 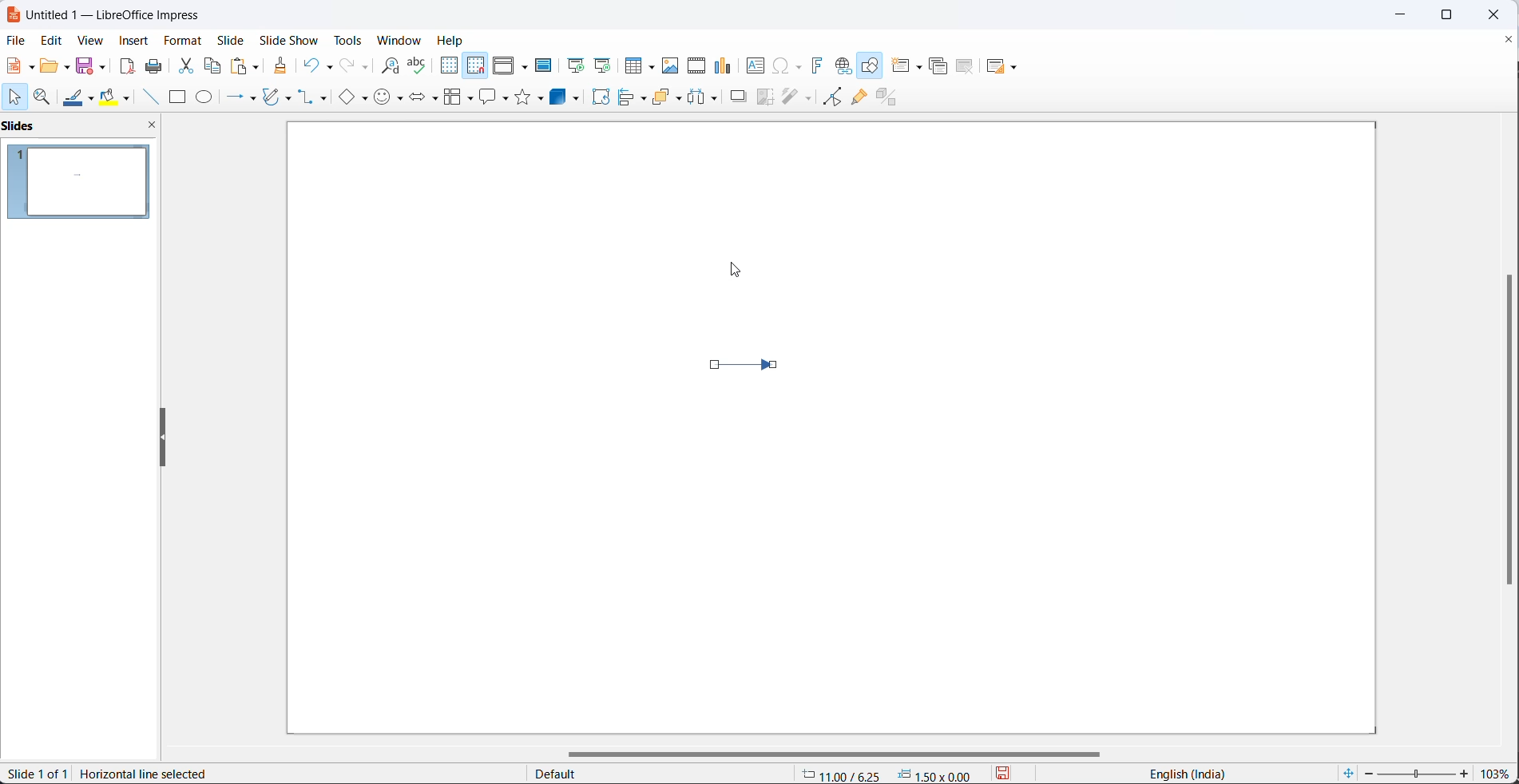 What do you see at coordinates (756, 370) in the screenshot?
I see `arrow pointing towards right` at bounding box center [756, 370].